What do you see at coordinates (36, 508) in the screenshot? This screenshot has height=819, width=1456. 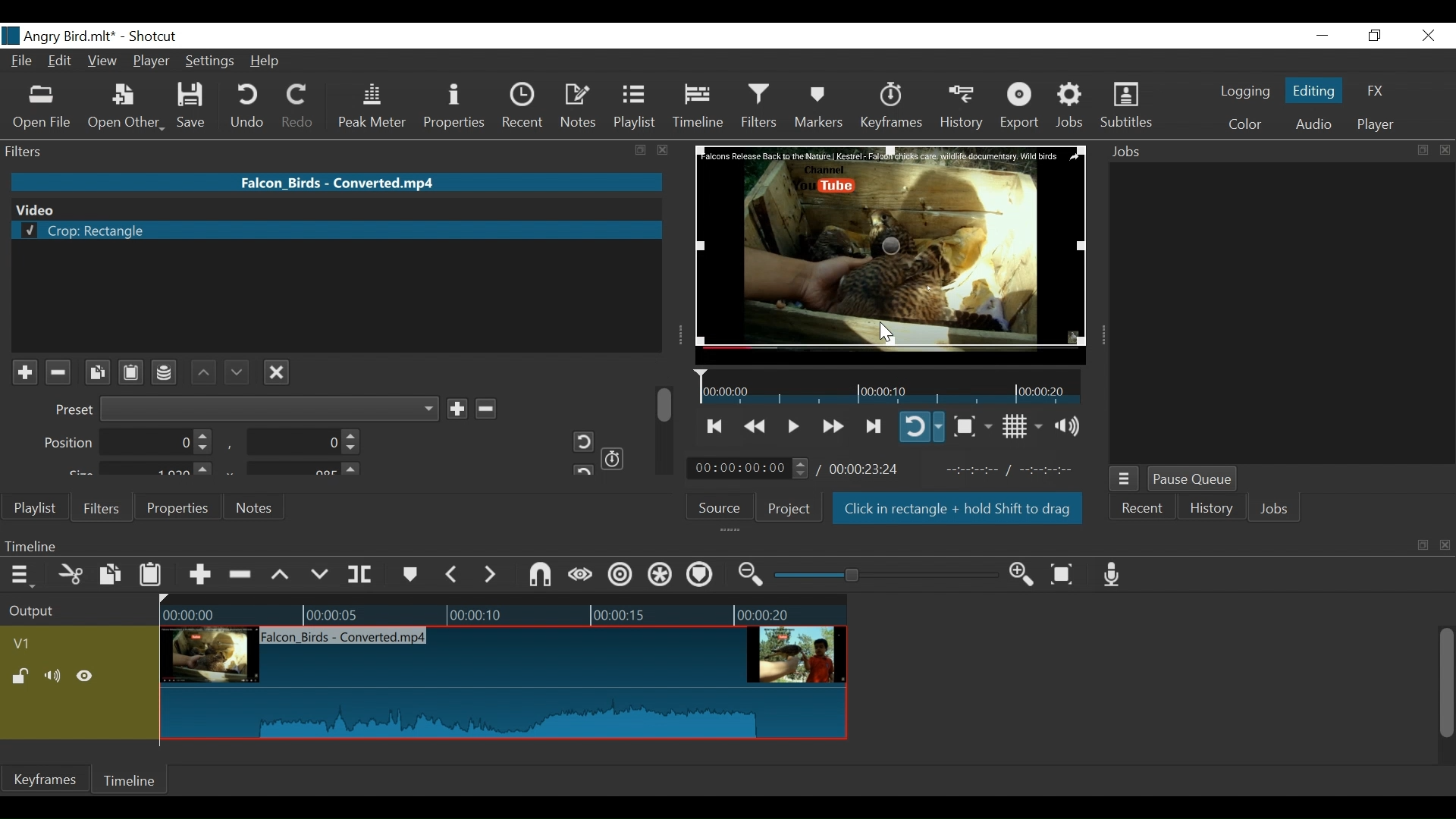 I see `Playlist` at bounding box center [36, 508].